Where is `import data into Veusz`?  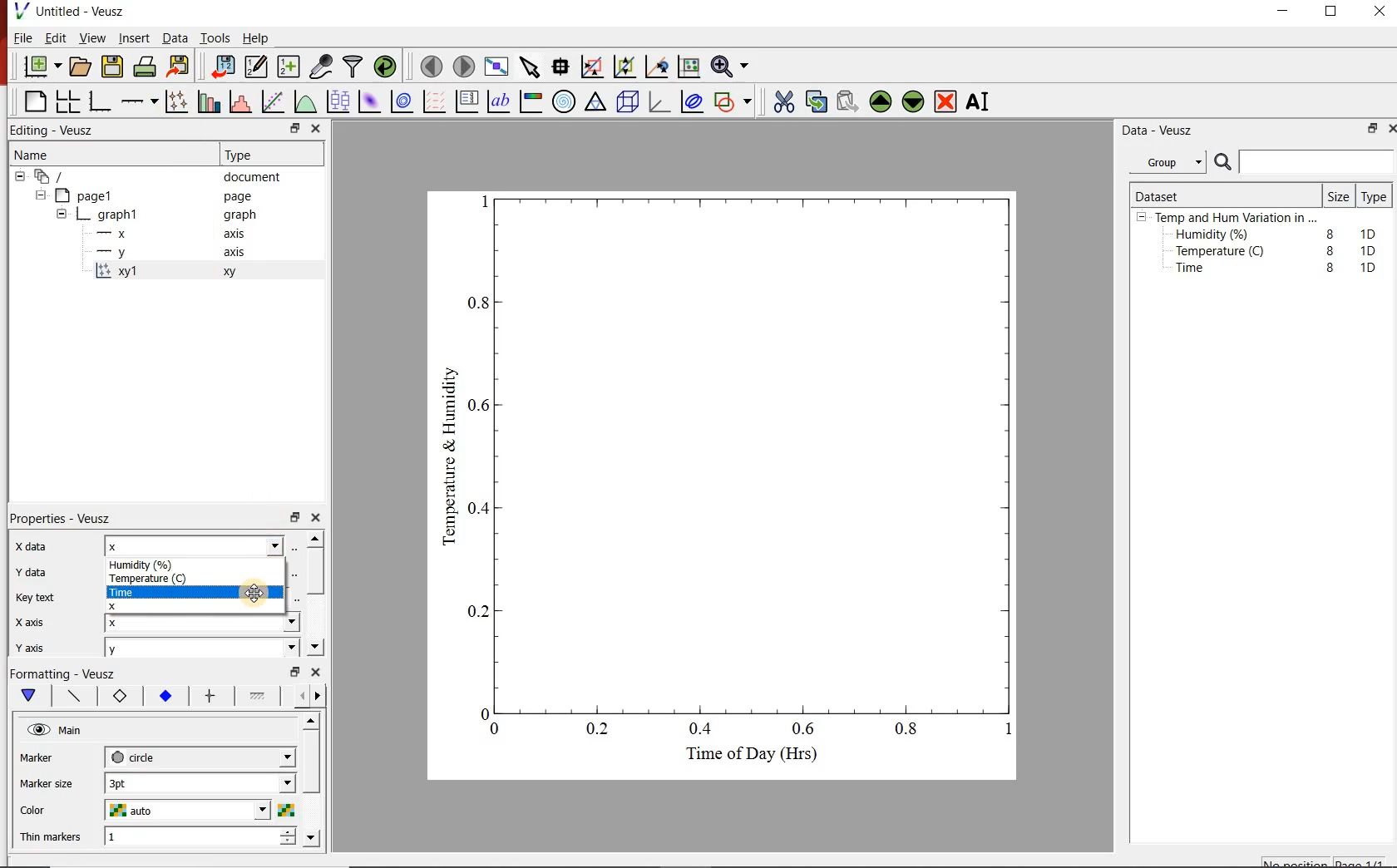 import data into Veusz is located at coordinates (222, 65).